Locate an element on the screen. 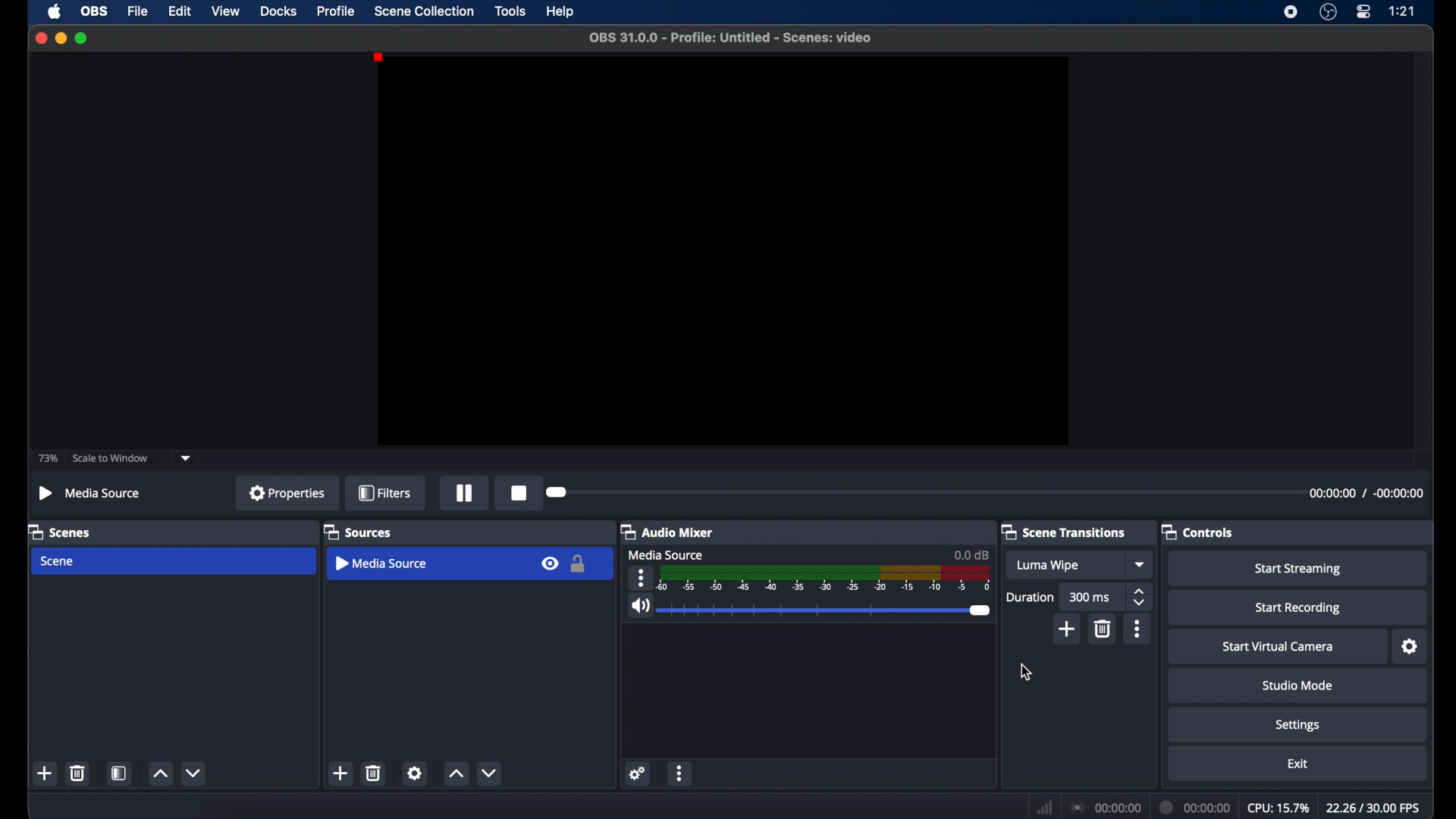 This screenshot has width=1456, height=819. slider is located at coordinates (827, 610).